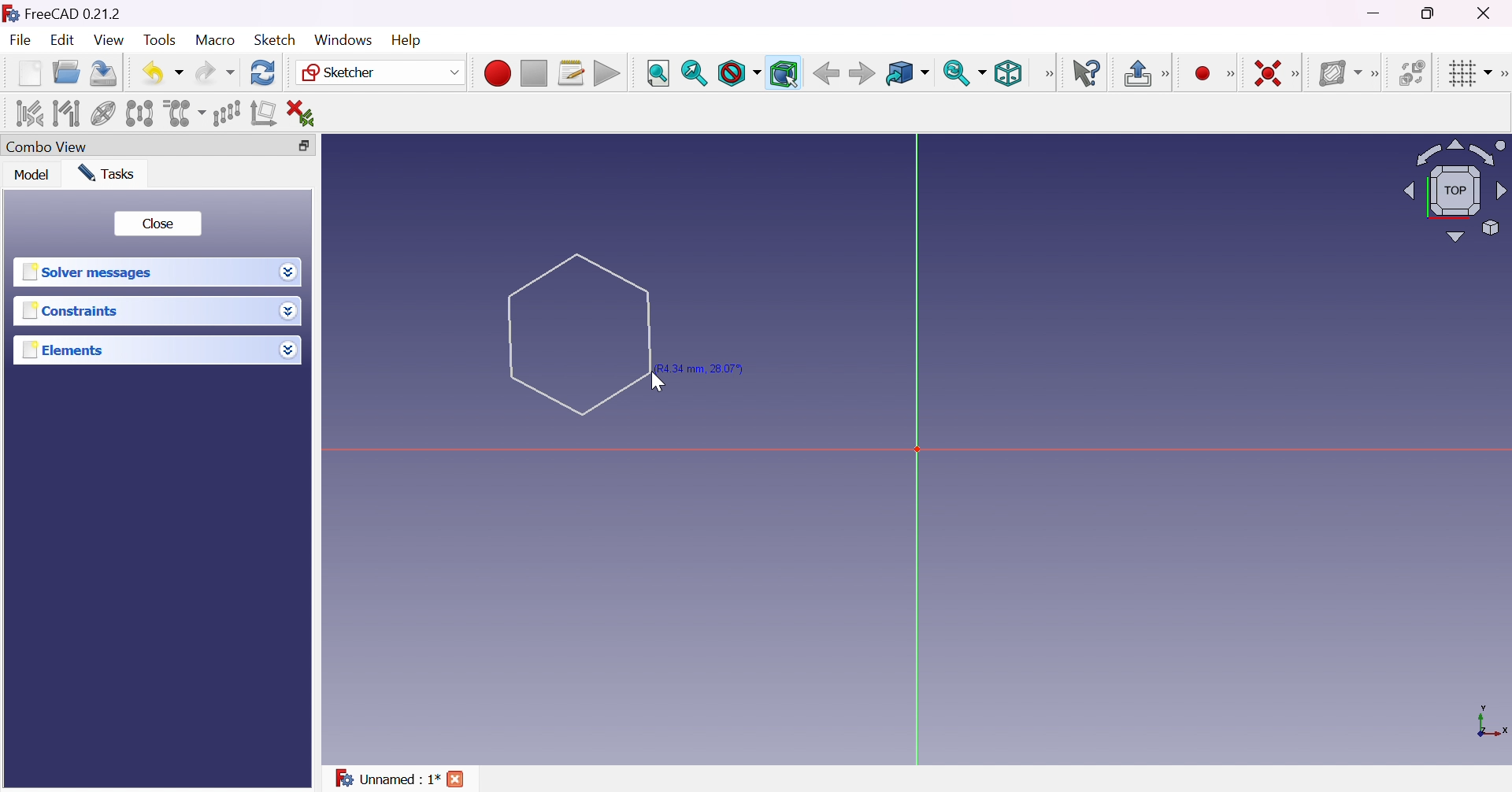  I want to click on Drop down, so click(287, 270).